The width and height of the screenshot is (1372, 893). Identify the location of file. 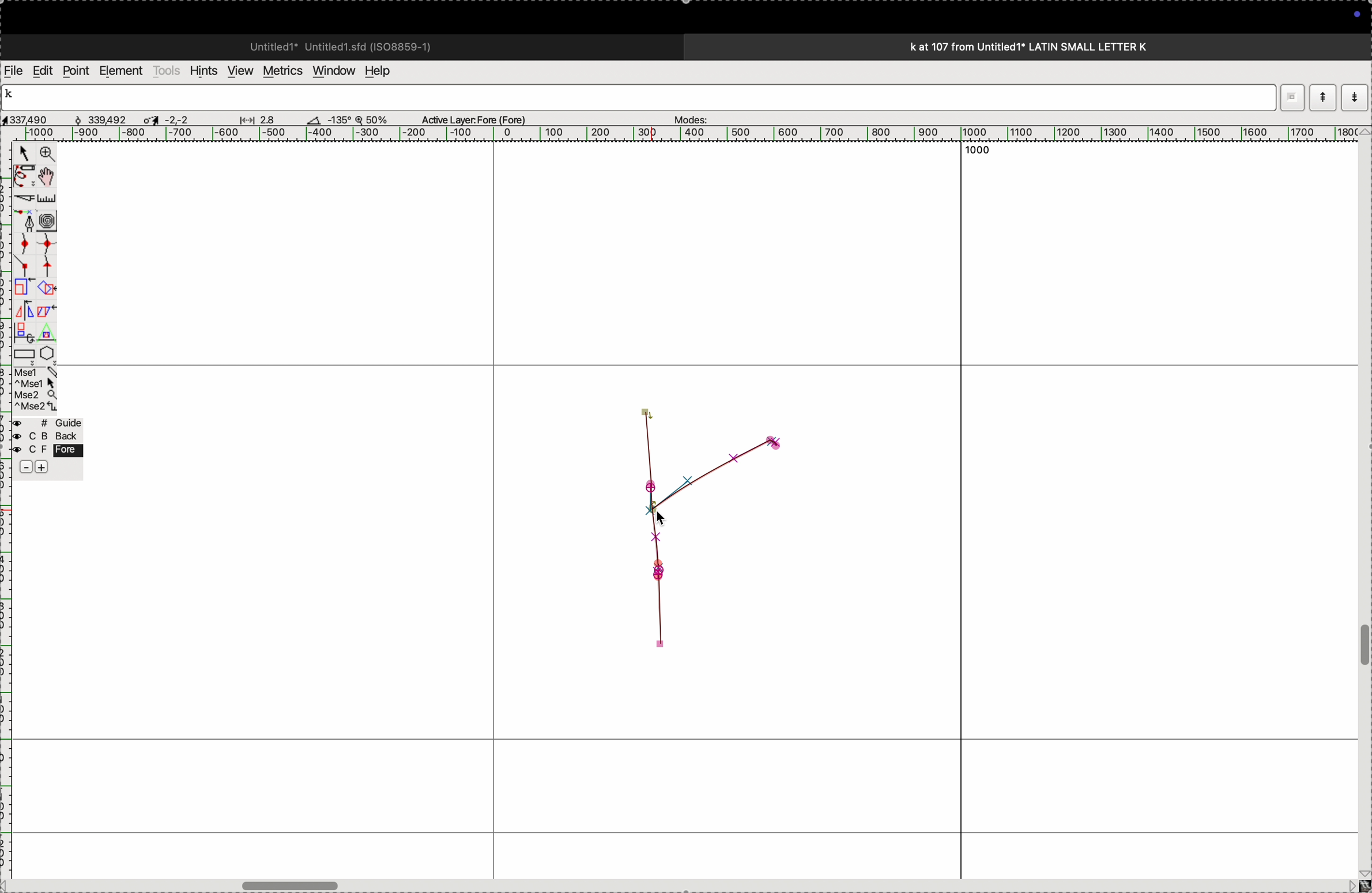
(14, 71).